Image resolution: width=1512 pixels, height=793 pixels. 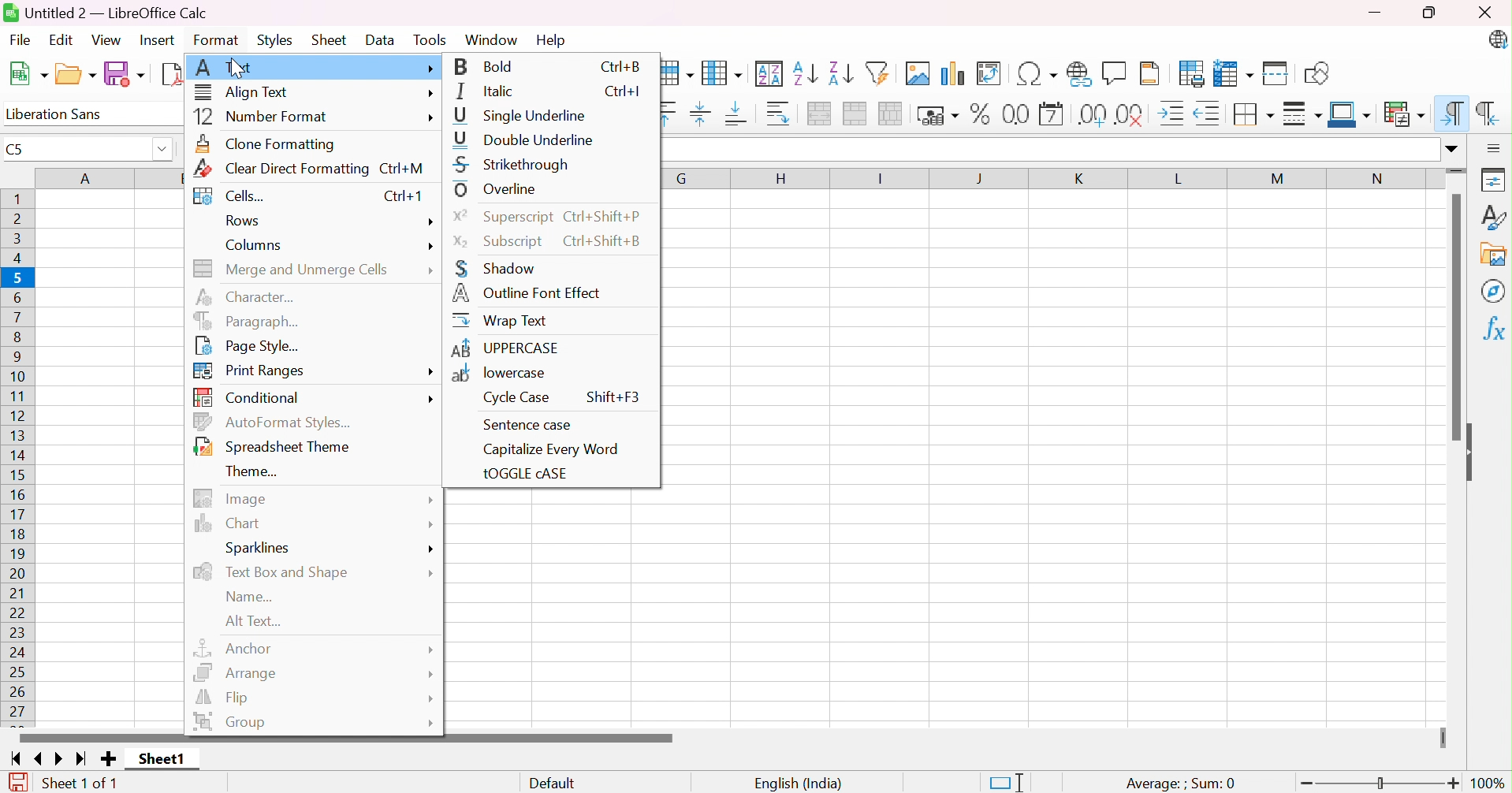 What do you see at coordinates (893, 114) in the screenshot?
I see `Unmerge Cells` at bounding box center [893, 114].